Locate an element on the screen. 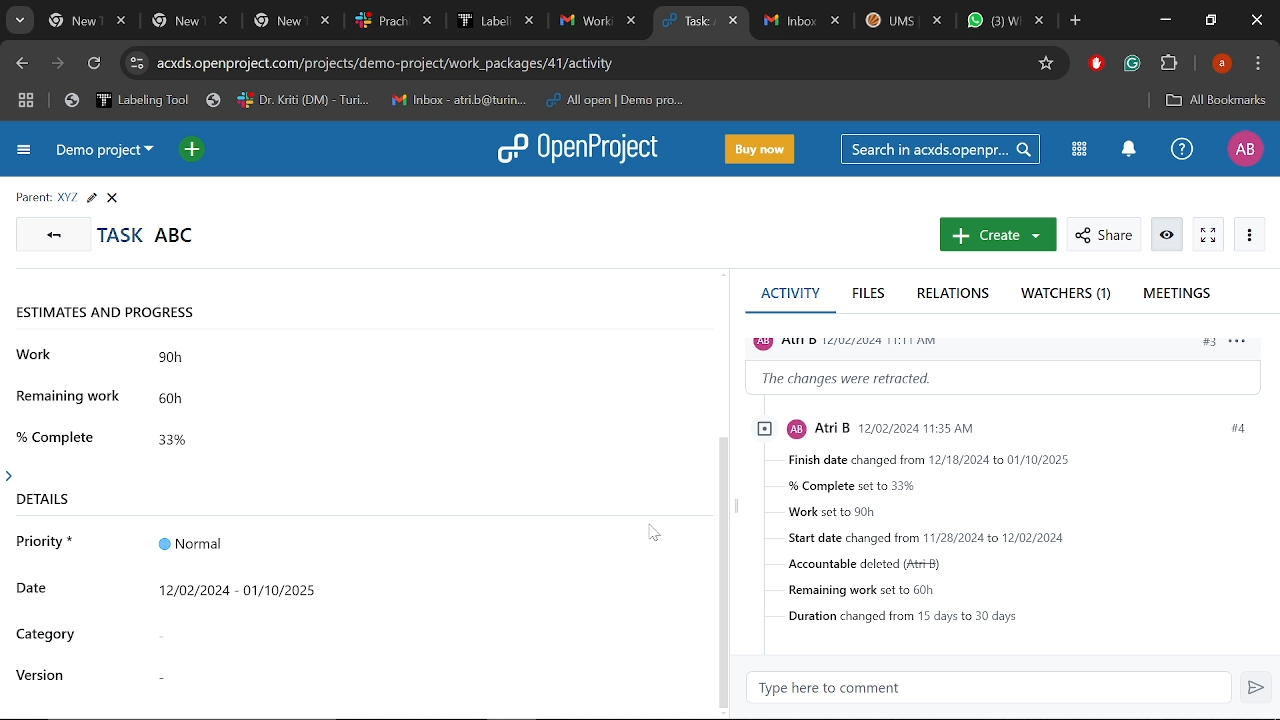 The image size is (1280, 720). Send is located at coordinates (1255, 687).